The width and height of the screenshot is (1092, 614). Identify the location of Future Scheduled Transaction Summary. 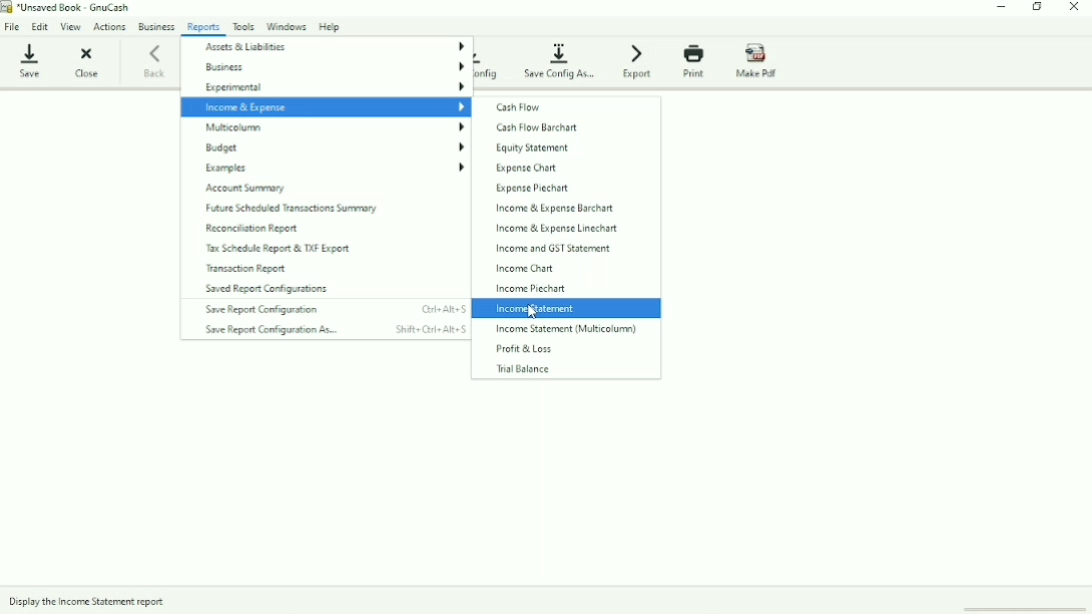
(292, 209).